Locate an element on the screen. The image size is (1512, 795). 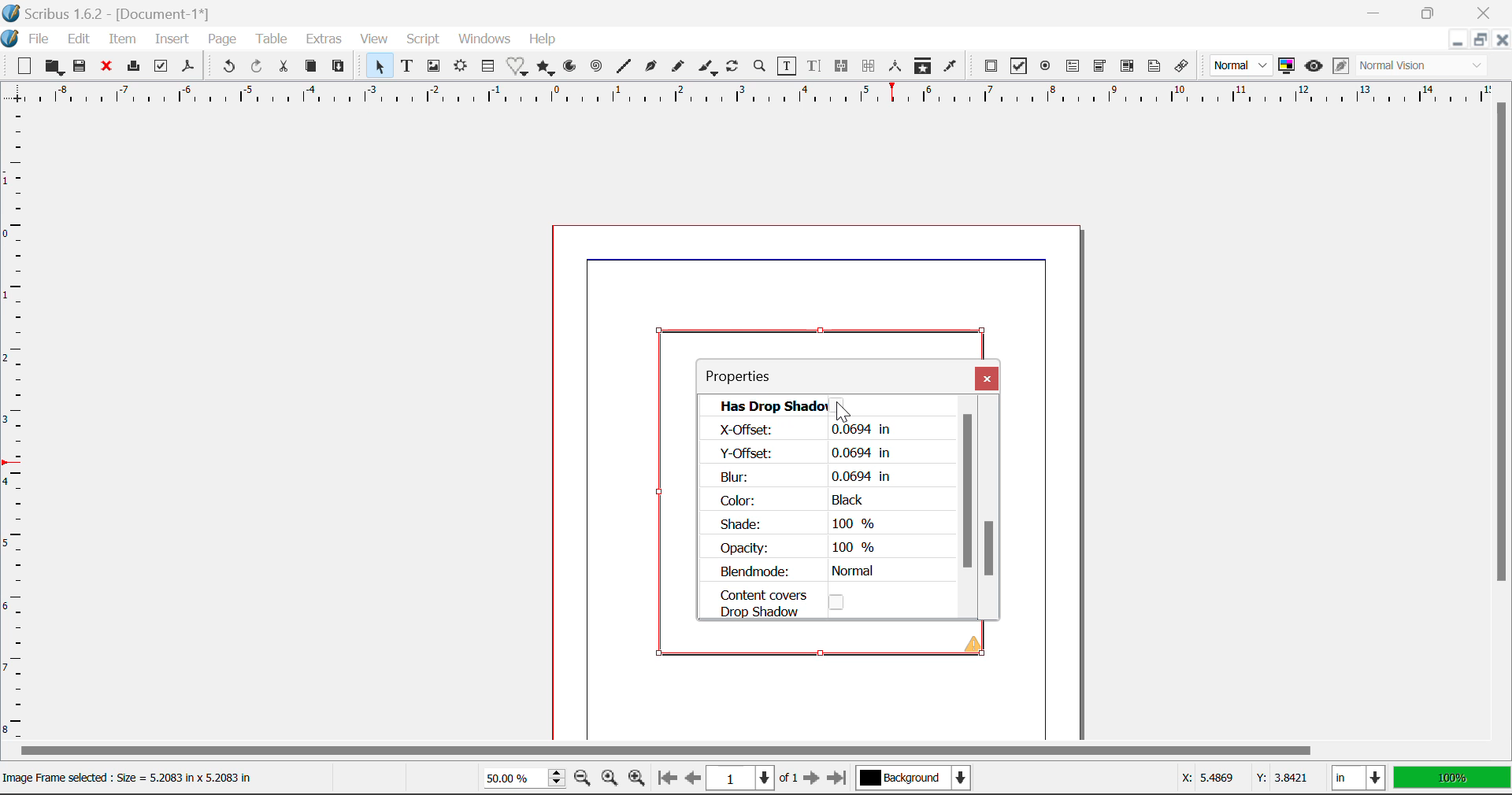
Edit is located at coordinates (79, 41).